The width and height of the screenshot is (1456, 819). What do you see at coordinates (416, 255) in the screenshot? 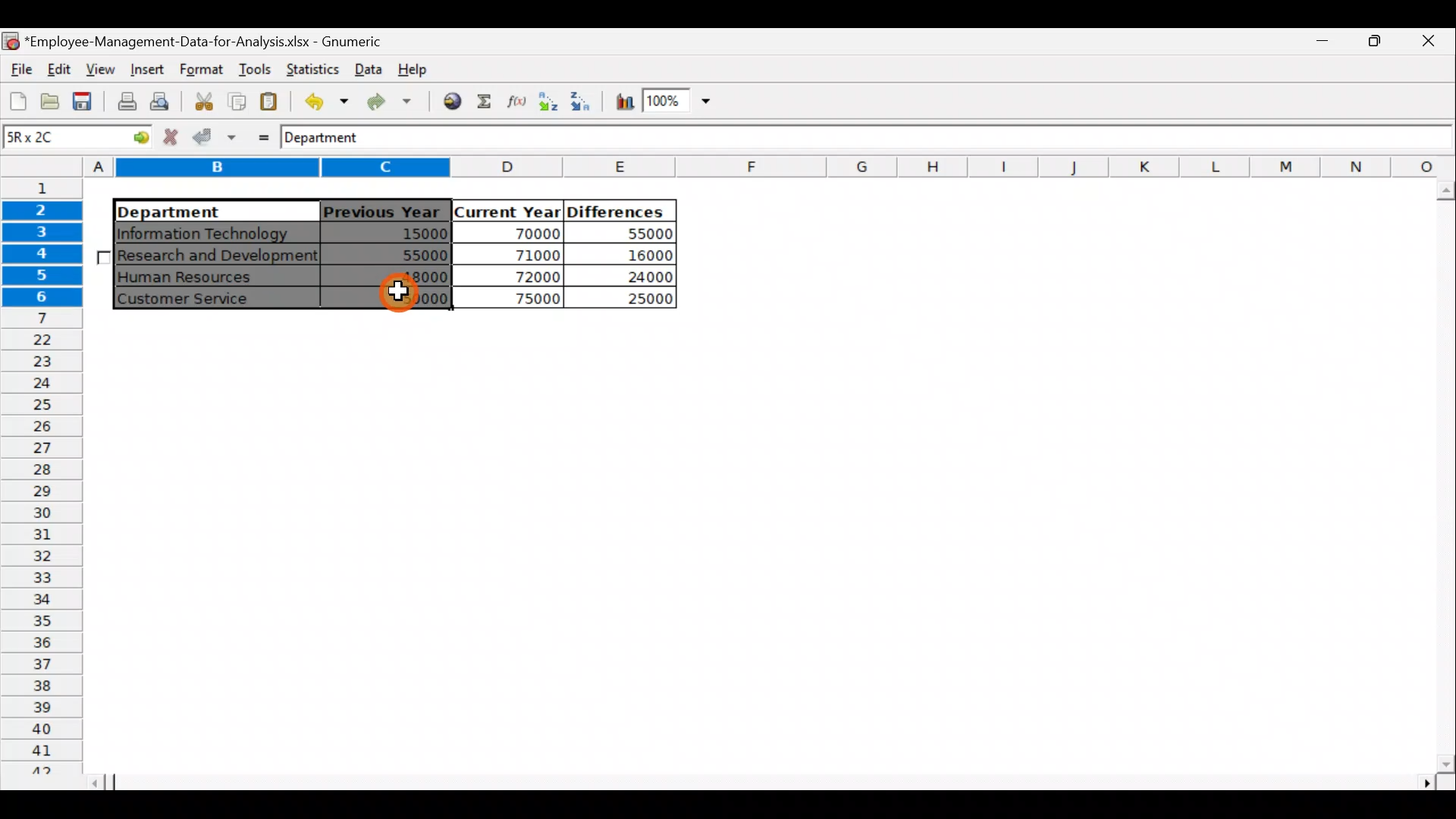
I see `55000` at bounding box center [416, 255].